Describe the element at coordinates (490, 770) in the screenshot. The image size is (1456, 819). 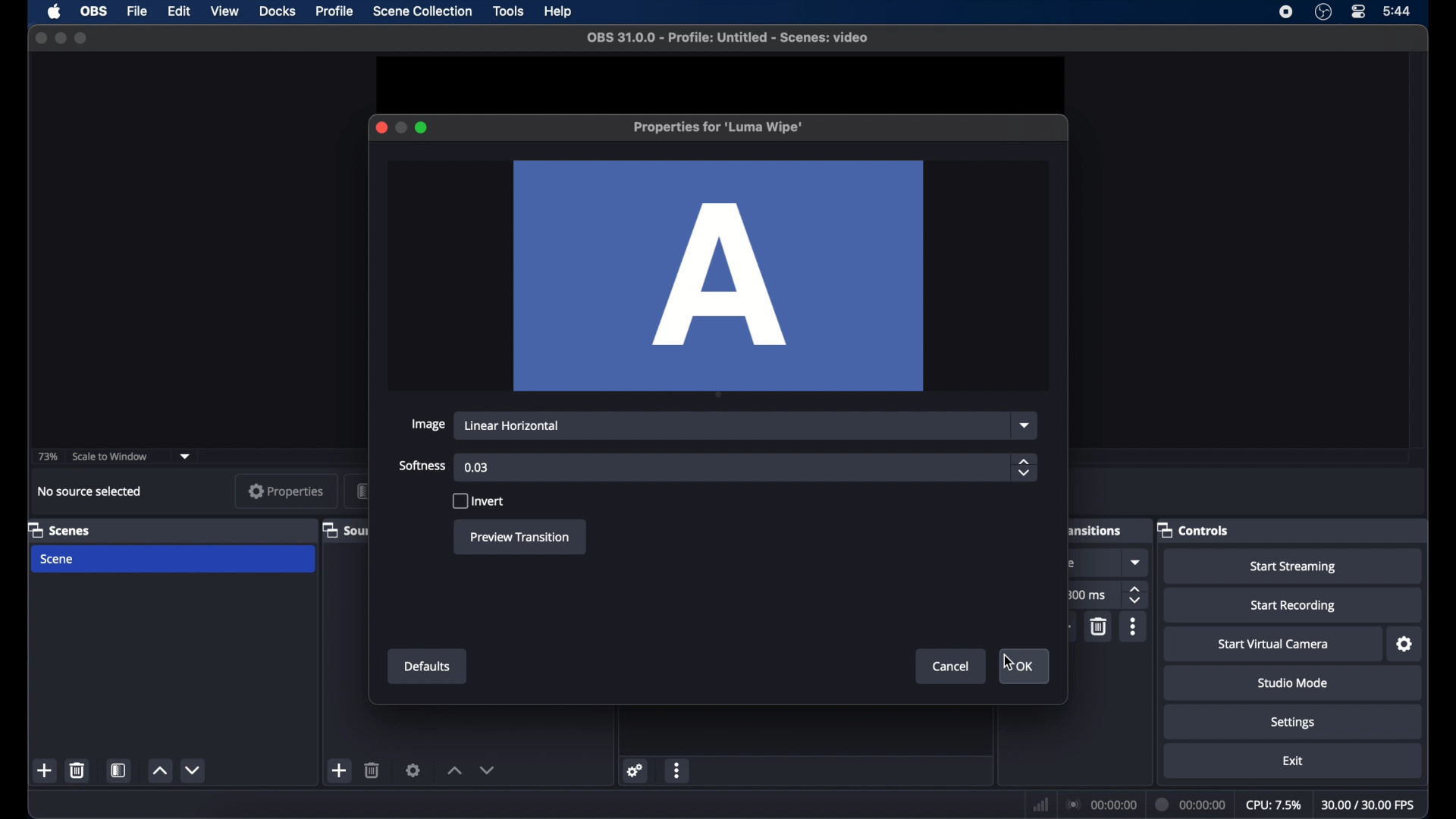
I see `decrement` at that location.